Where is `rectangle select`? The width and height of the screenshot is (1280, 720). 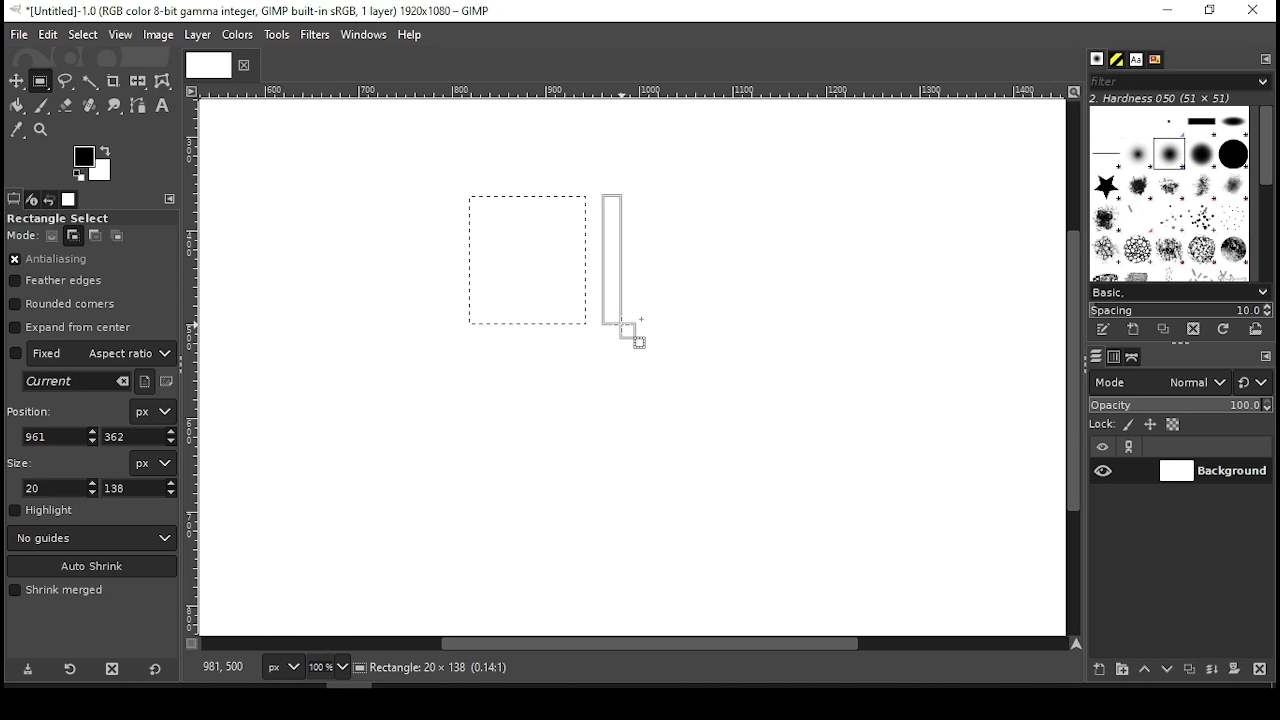 rectangle select is located at coordinates (75, 218).